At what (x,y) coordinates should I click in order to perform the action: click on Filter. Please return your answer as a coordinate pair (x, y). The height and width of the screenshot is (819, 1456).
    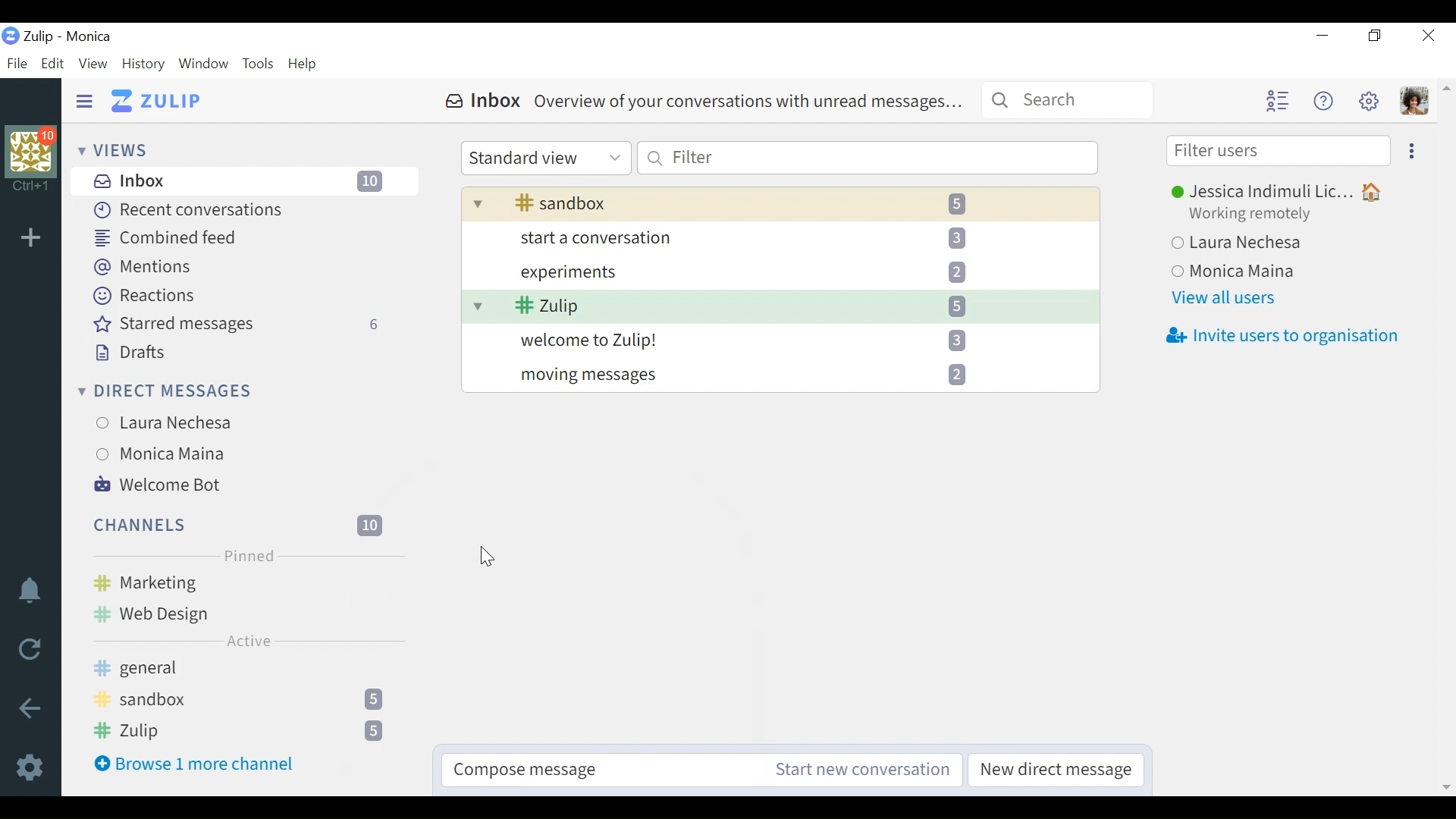
    Looking at the image, I should click on (867, 157).